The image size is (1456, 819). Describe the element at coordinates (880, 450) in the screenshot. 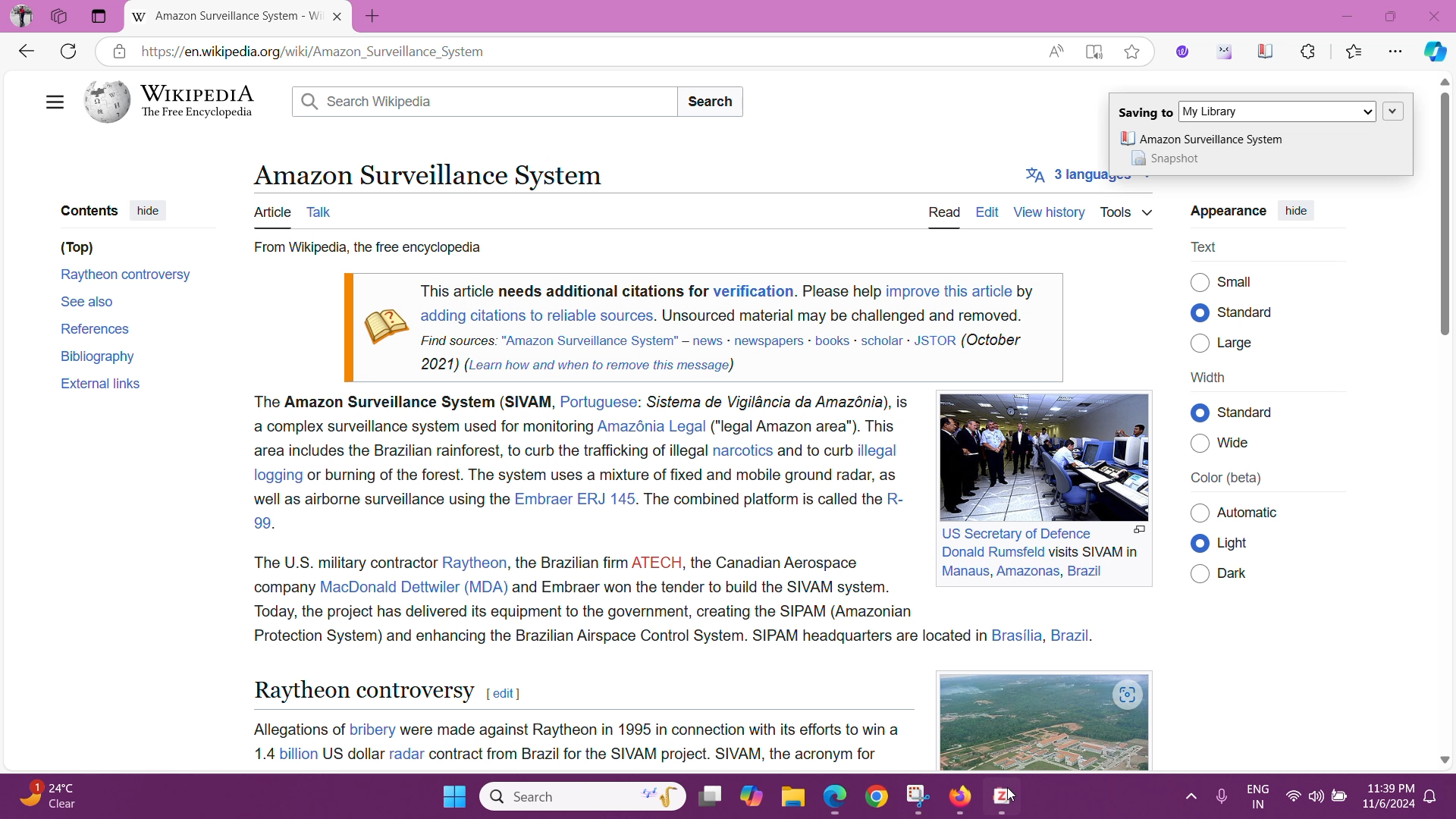

I see `illegal` at that location.